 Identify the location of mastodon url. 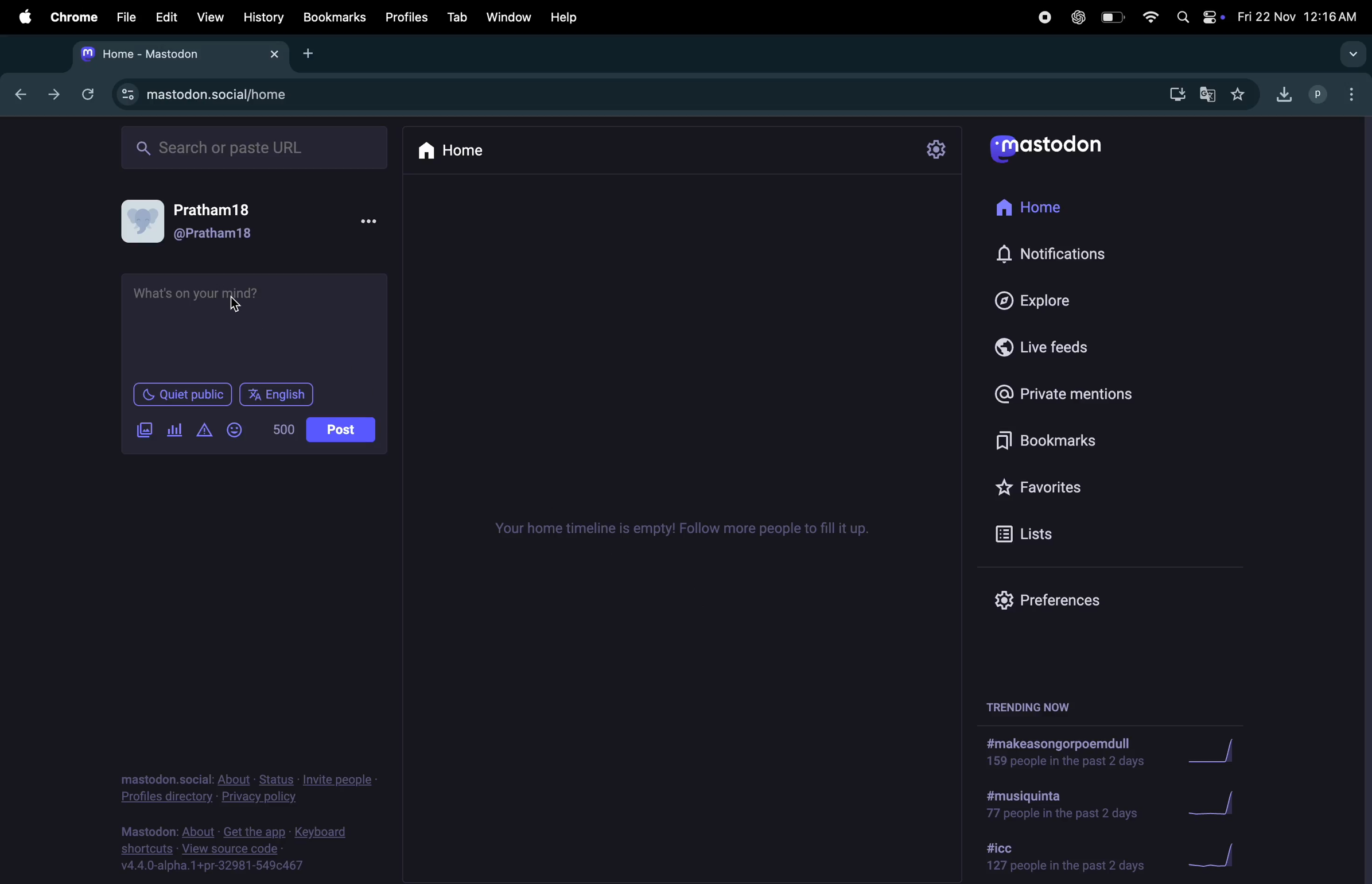
(232, 95).